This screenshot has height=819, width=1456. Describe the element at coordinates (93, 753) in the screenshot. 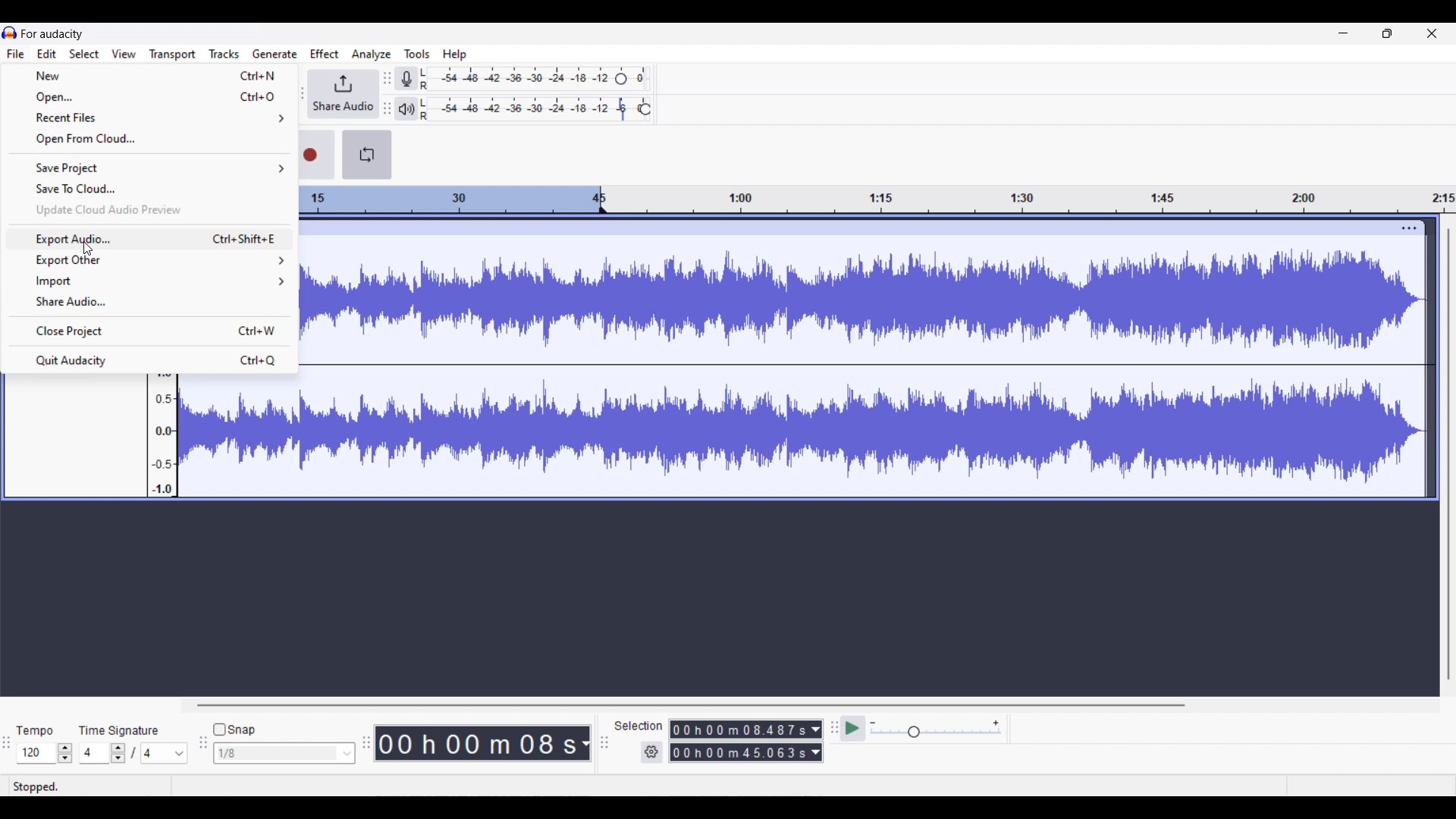

I see `Input time signature` at that location.